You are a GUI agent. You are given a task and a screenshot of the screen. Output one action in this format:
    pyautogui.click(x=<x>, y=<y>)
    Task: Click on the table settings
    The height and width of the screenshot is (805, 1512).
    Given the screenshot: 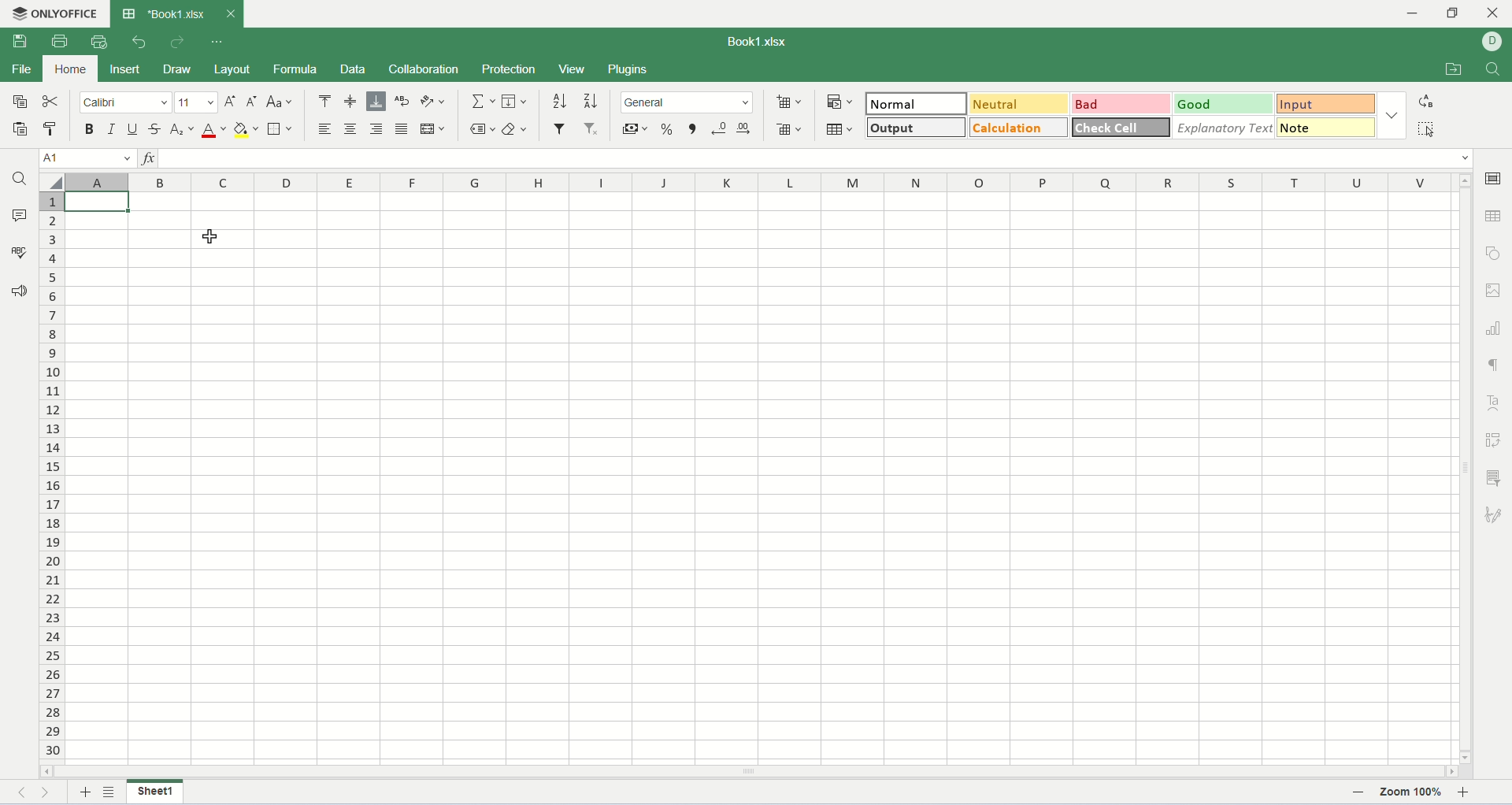 What is the action you would take?
    pyautogui.click(x=1496, y=218)
    